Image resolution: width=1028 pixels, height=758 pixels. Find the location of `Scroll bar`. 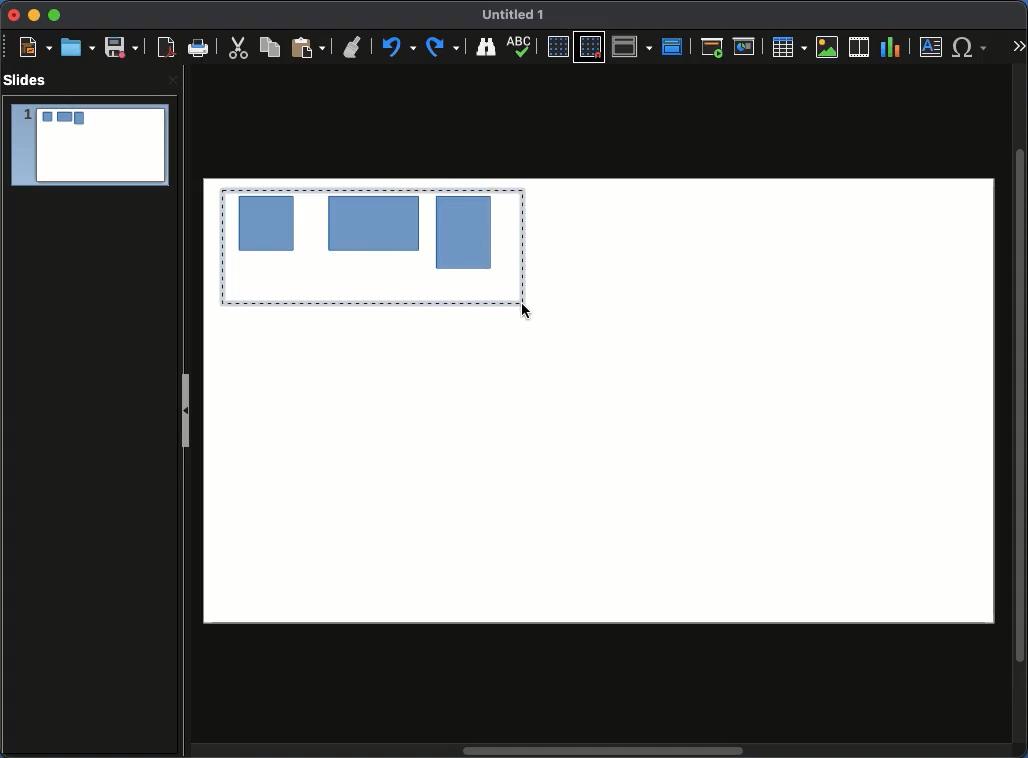

Scroll bar is located at coordinates (605, 752).